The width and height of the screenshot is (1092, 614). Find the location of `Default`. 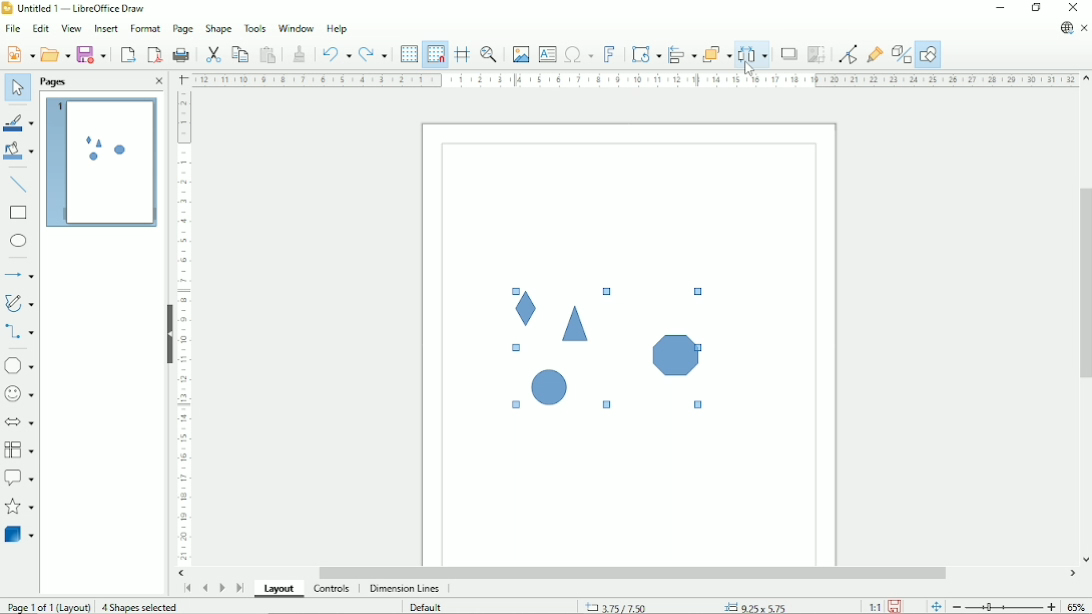

Default is located at coordinates (429, 606).